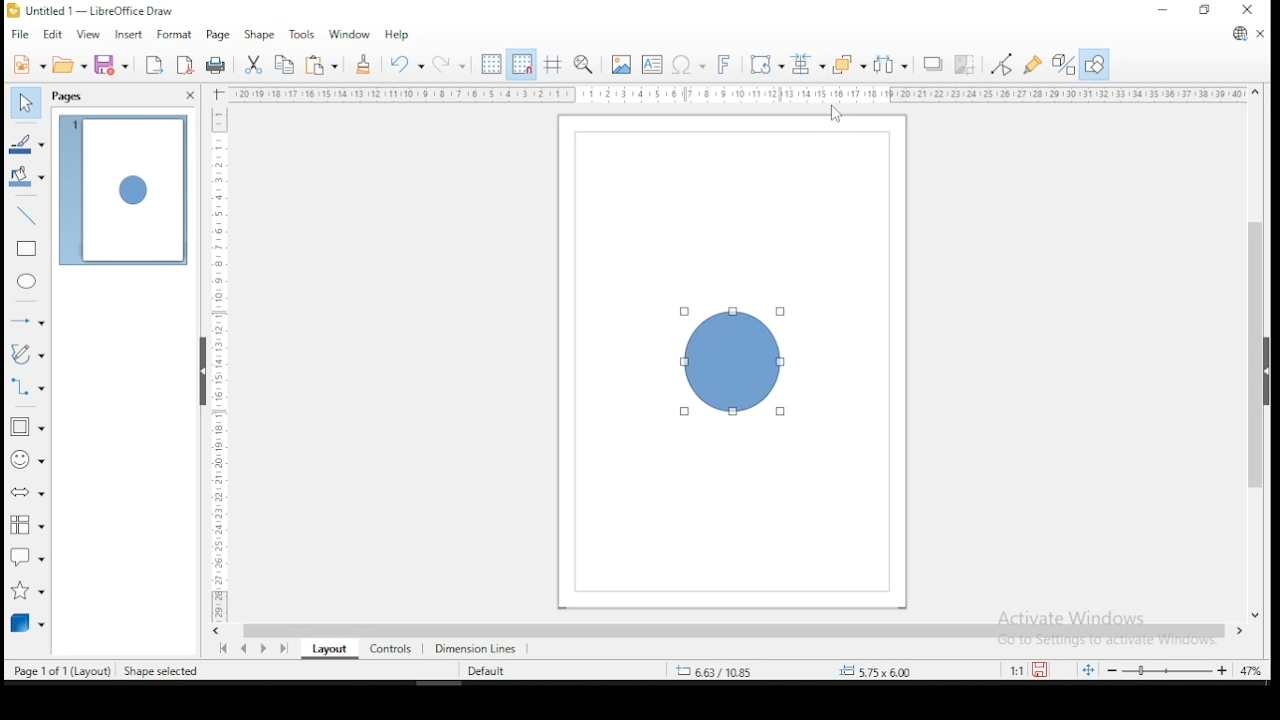 The height and width of the screenshot is (720, 1280). Describe the element at coordinates (1251, 673) in the screenshot. I see `zoom level` at that location.